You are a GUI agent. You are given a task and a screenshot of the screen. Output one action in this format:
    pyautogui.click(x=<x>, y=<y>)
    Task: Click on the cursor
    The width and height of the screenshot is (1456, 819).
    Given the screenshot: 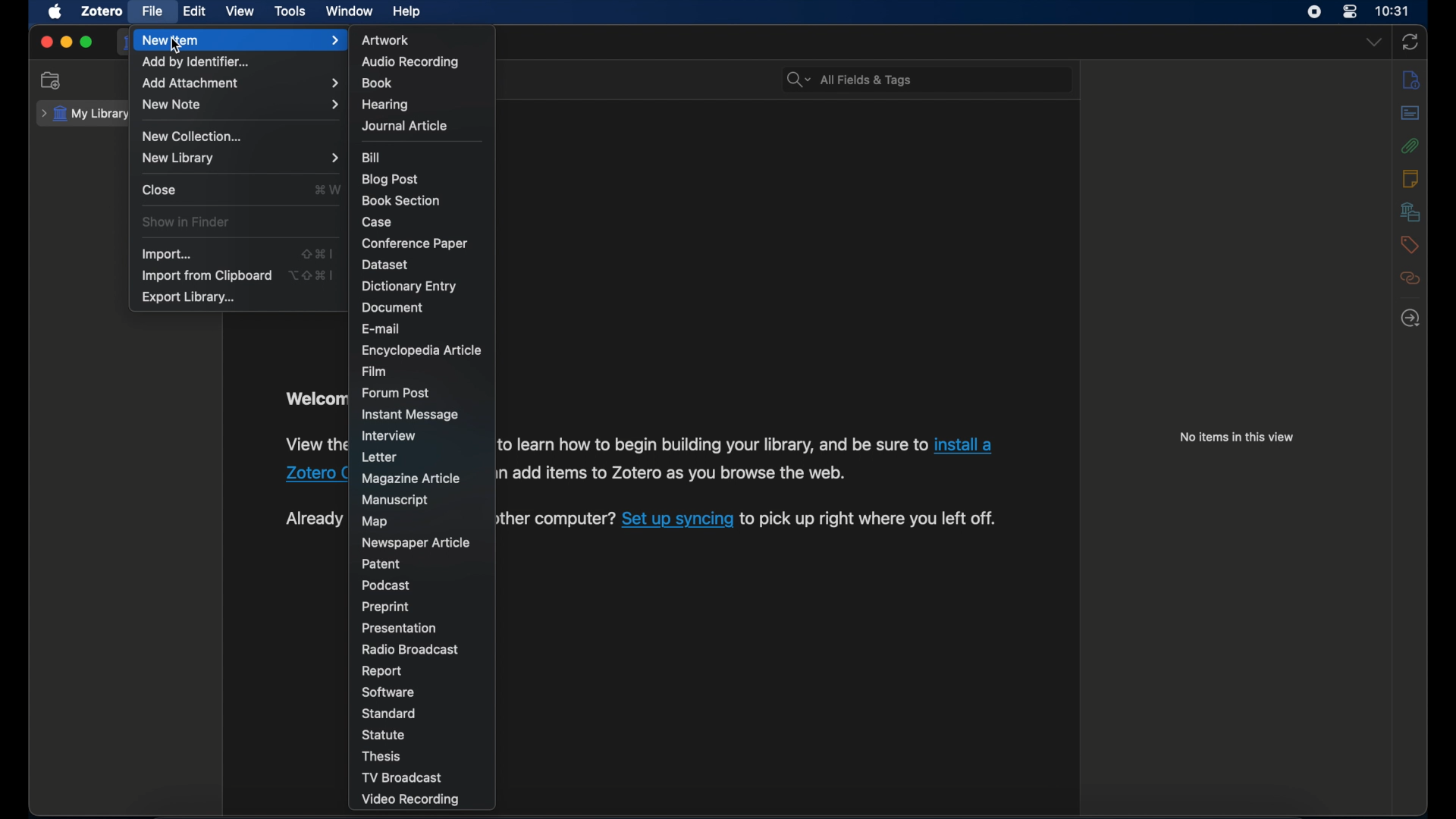 What is the action you would take?
    pyautogui.click(x=176, y=47)
    